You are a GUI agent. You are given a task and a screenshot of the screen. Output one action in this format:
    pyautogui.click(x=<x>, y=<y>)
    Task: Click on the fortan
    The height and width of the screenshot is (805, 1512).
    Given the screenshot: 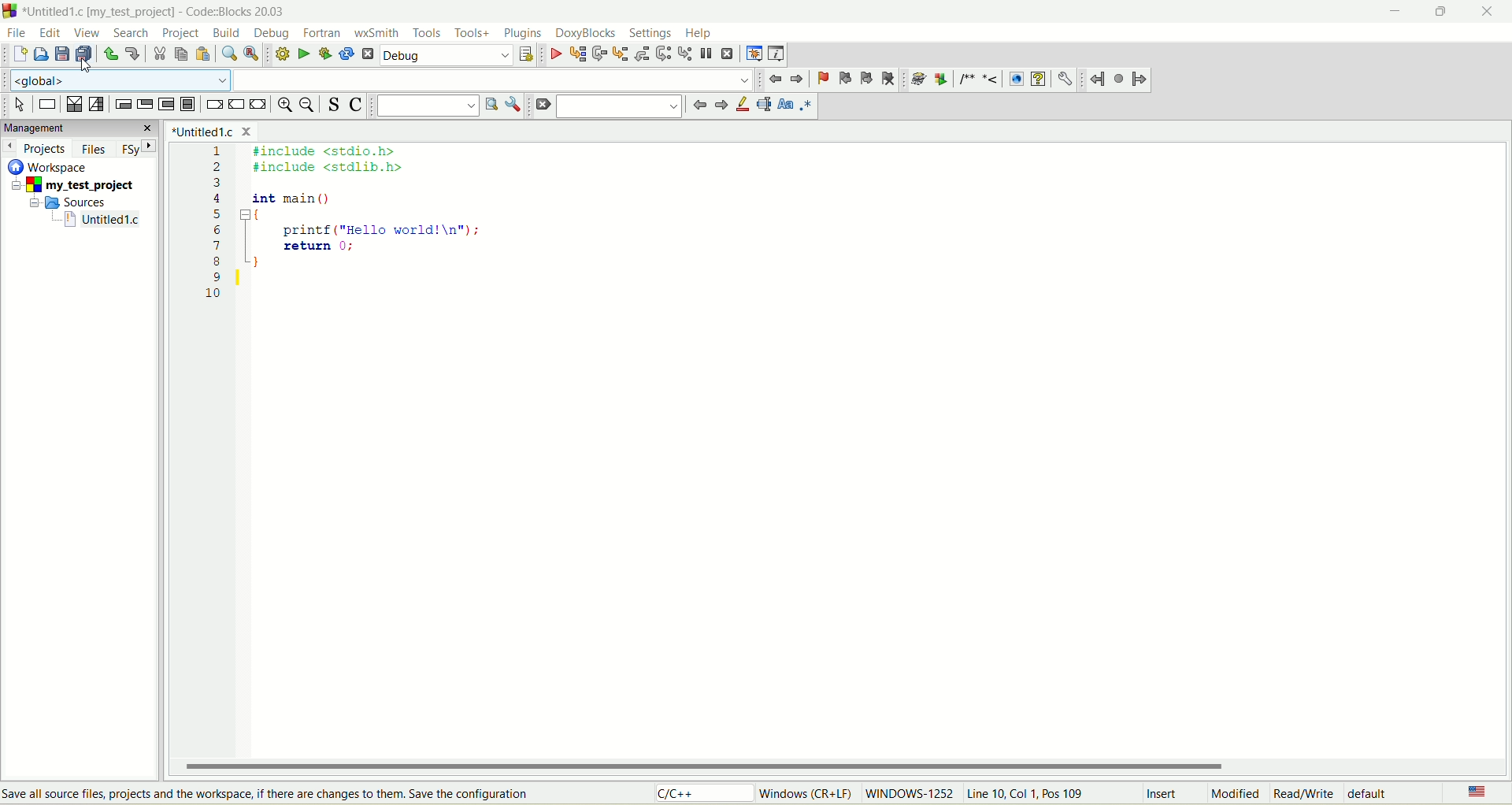 What is the action you would take?
    pyautogui.click(x=324, y=33)
    